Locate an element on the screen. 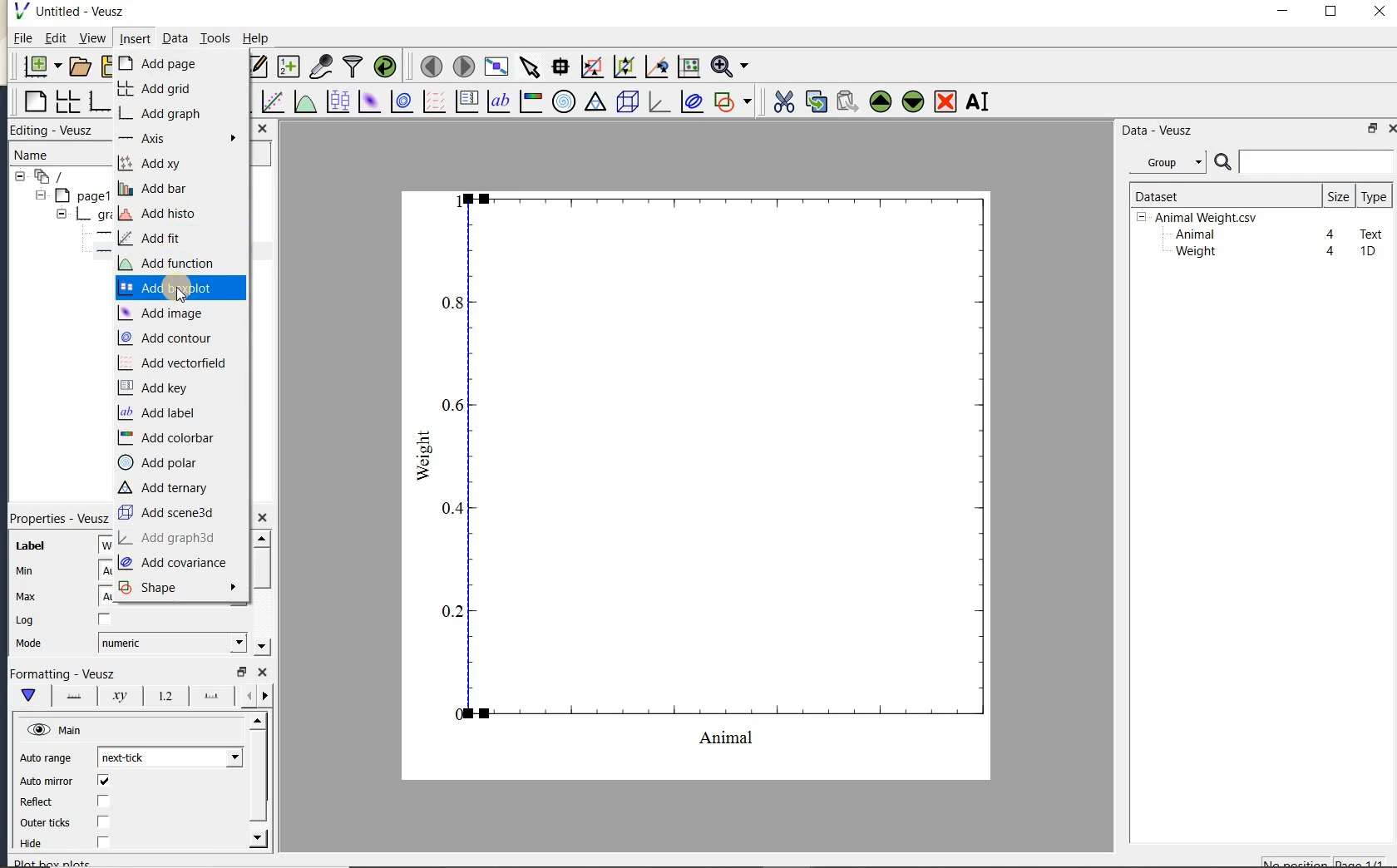  add bar is located at coordinates (156, 189).